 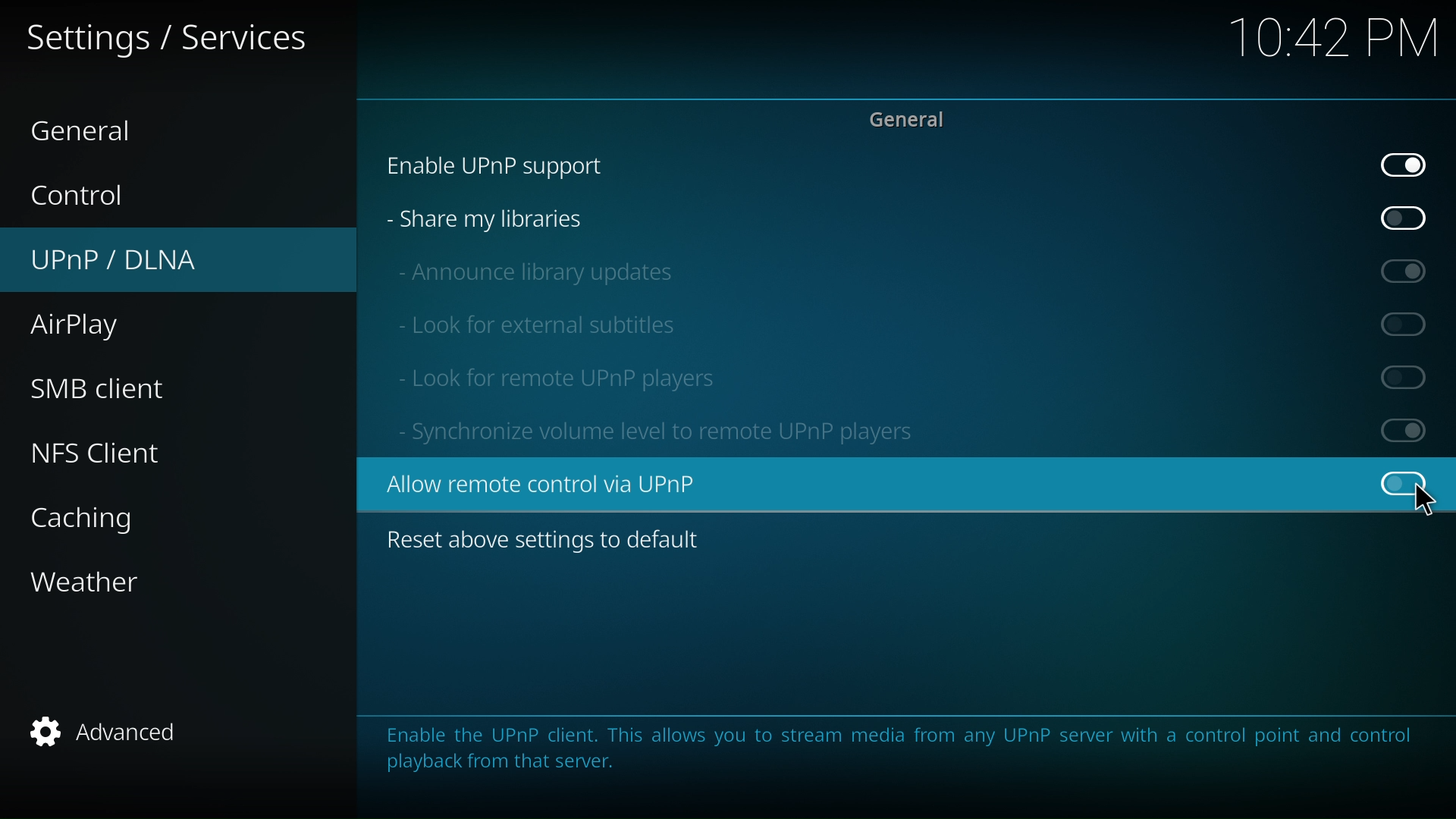 What do you see at coordinates (907, 487) in the screenshot?
I see `Allow remote control via UPnP` at bounding box center [907, 487].